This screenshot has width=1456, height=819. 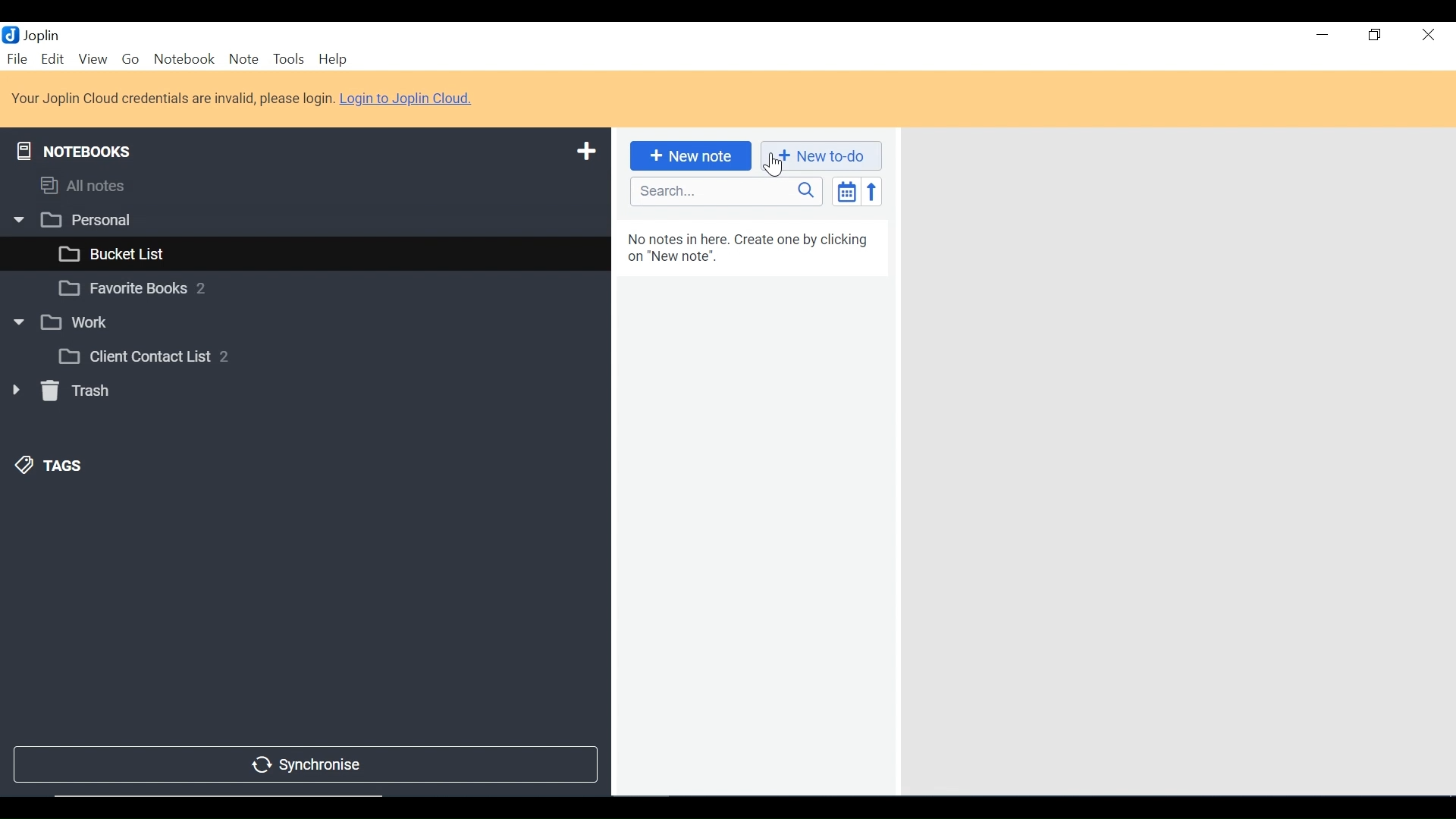 What do you see at coordinates (93, 60) in the screenshot?
I see `View` at bounding box center [93, 60].